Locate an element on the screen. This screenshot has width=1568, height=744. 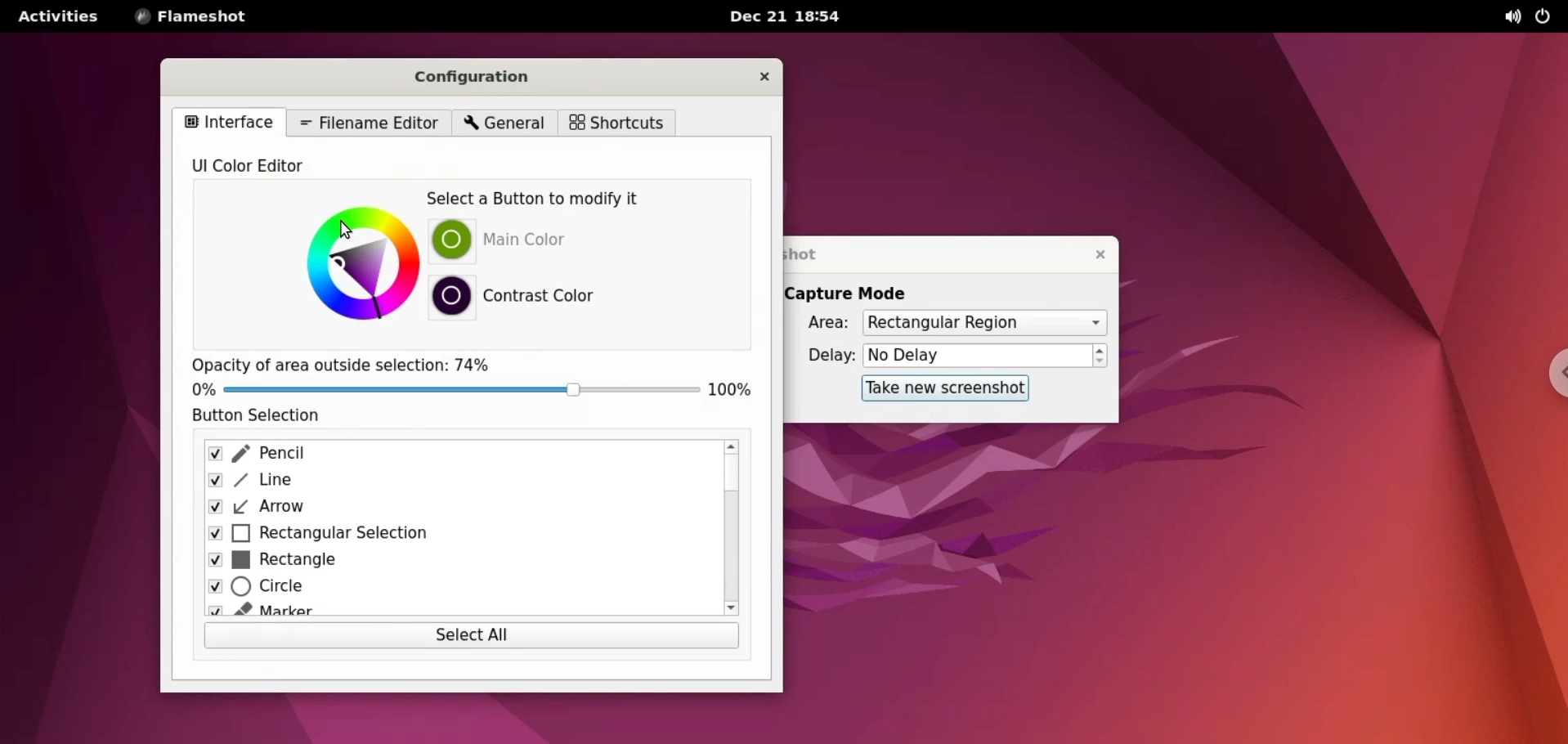
arrow checkbox is located at coordinates (450, 509).